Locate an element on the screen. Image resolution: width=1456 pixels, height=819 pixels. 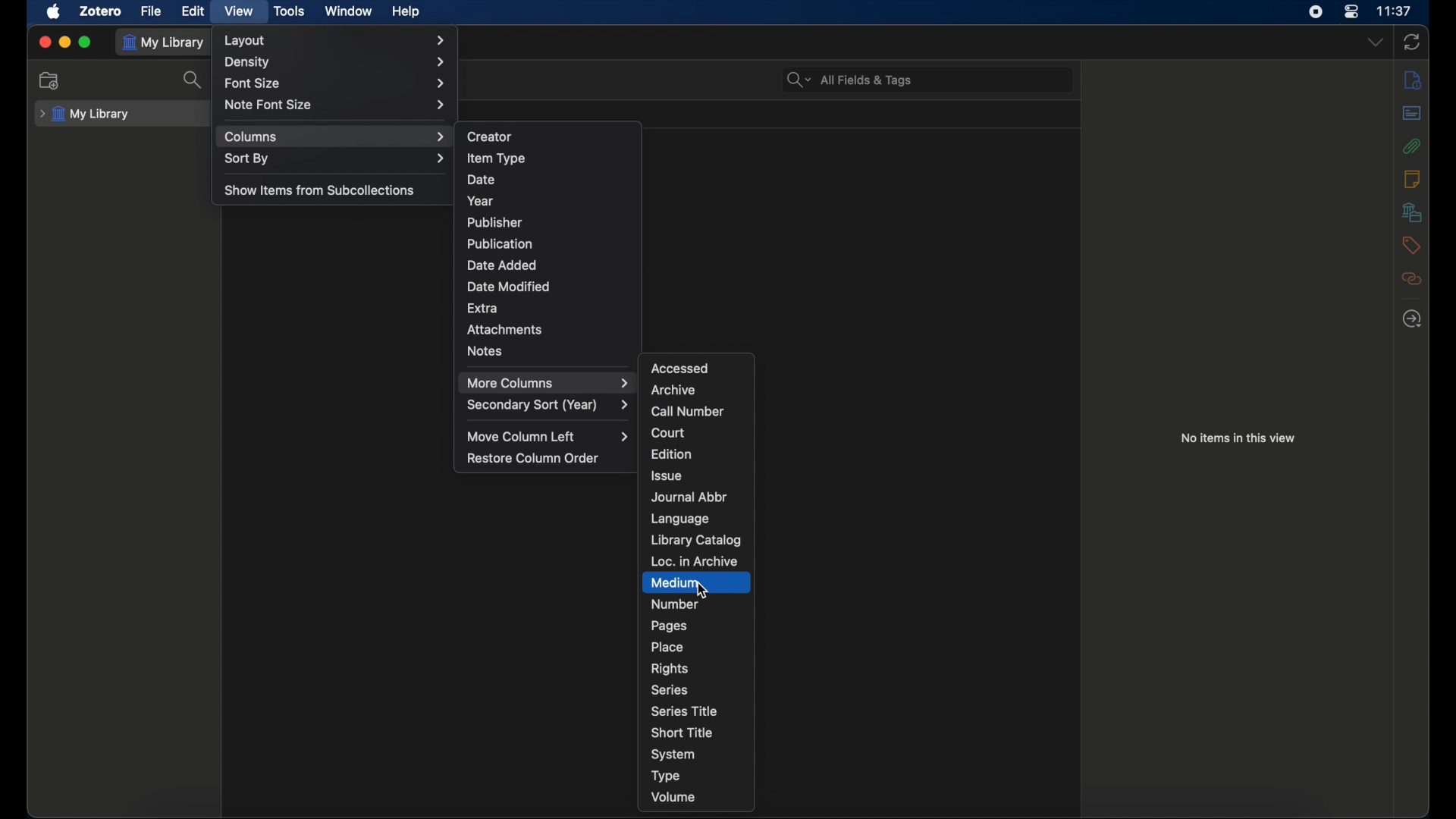
medium is located at coordinates (674, 583).